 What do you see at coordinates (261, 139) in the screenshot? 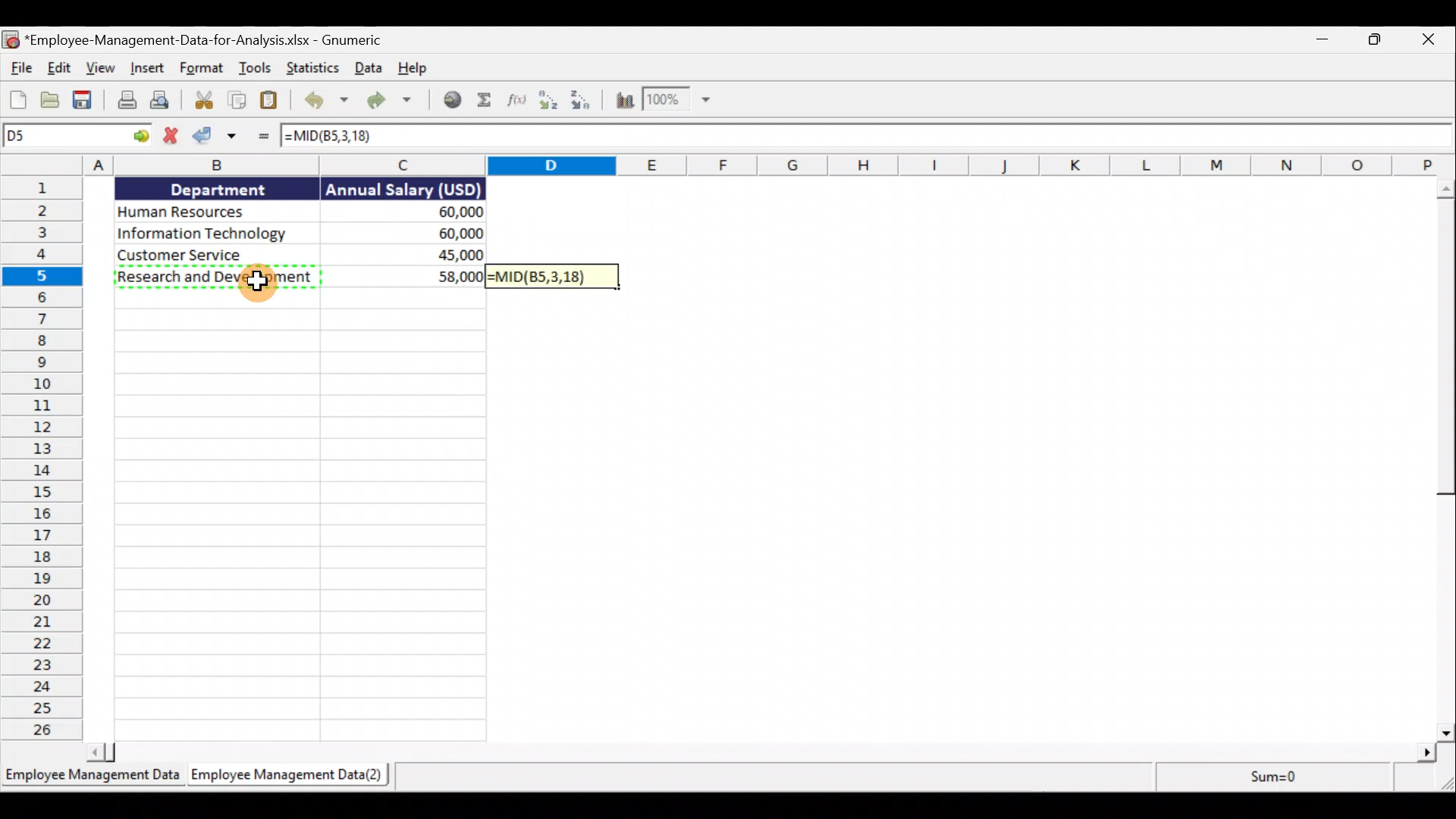
I see `Enter formula` at bounding box center [261, 139].